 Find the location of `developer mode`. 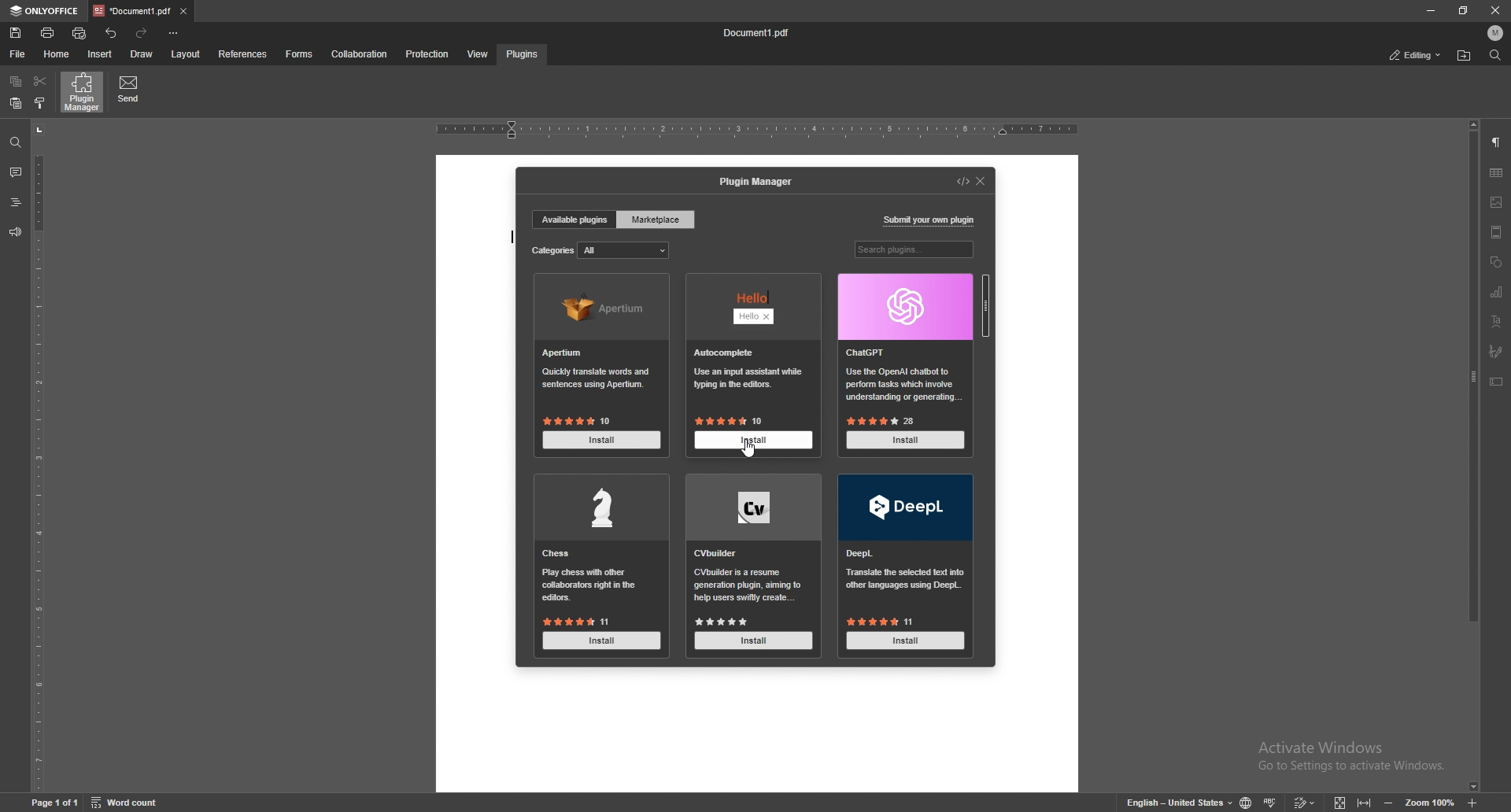

developer mode is located at coordinates (960, 181).